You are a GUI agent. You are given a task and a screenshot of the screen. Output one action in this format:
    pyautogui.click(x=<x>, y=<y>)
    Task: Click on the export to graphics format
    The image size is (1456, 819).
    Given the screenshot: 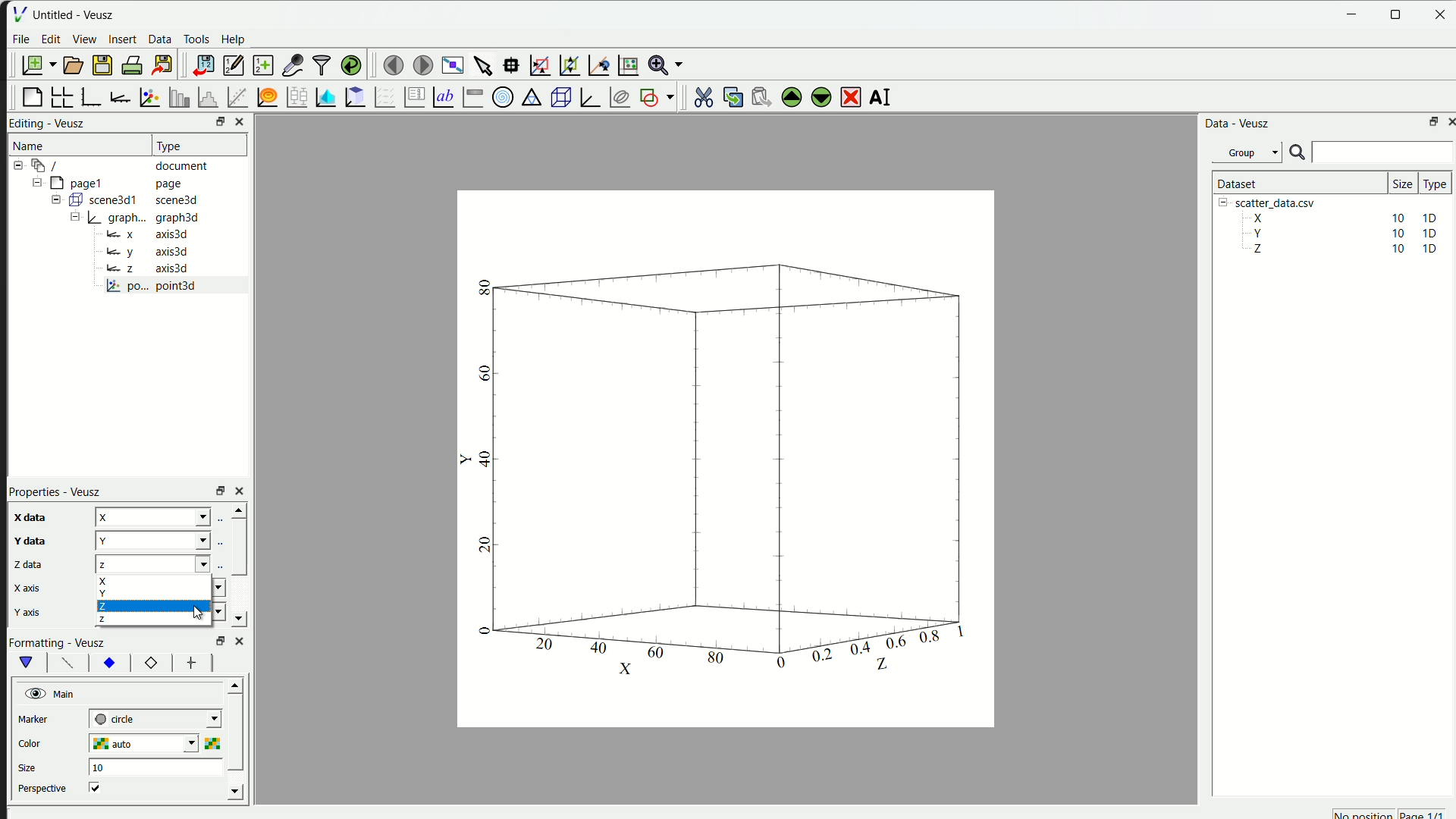 What is the action you would take?
    pyautogui.click(x=161, y=63)
    